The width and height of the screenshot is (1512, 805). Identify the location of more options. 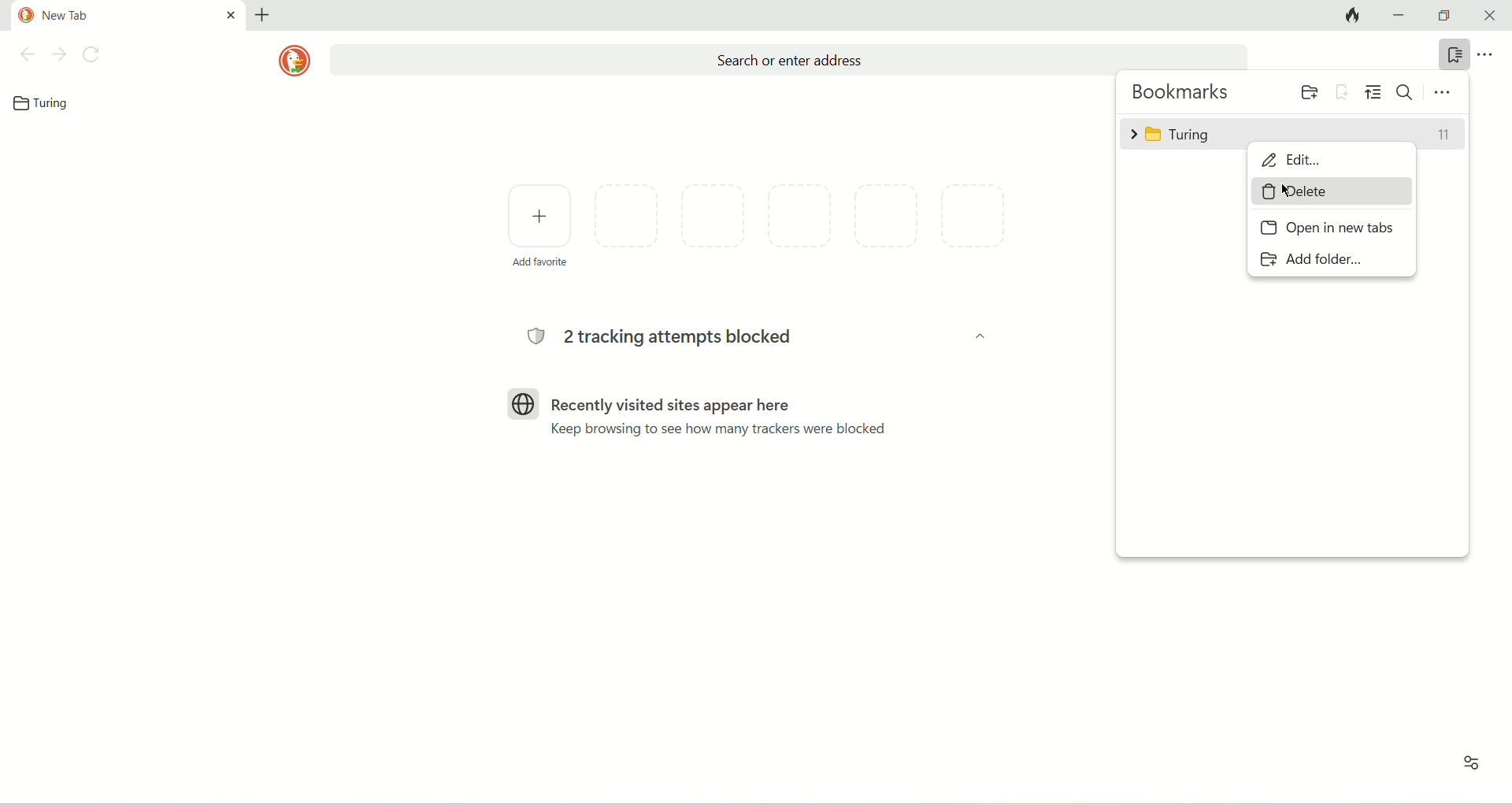
(1488, 55).